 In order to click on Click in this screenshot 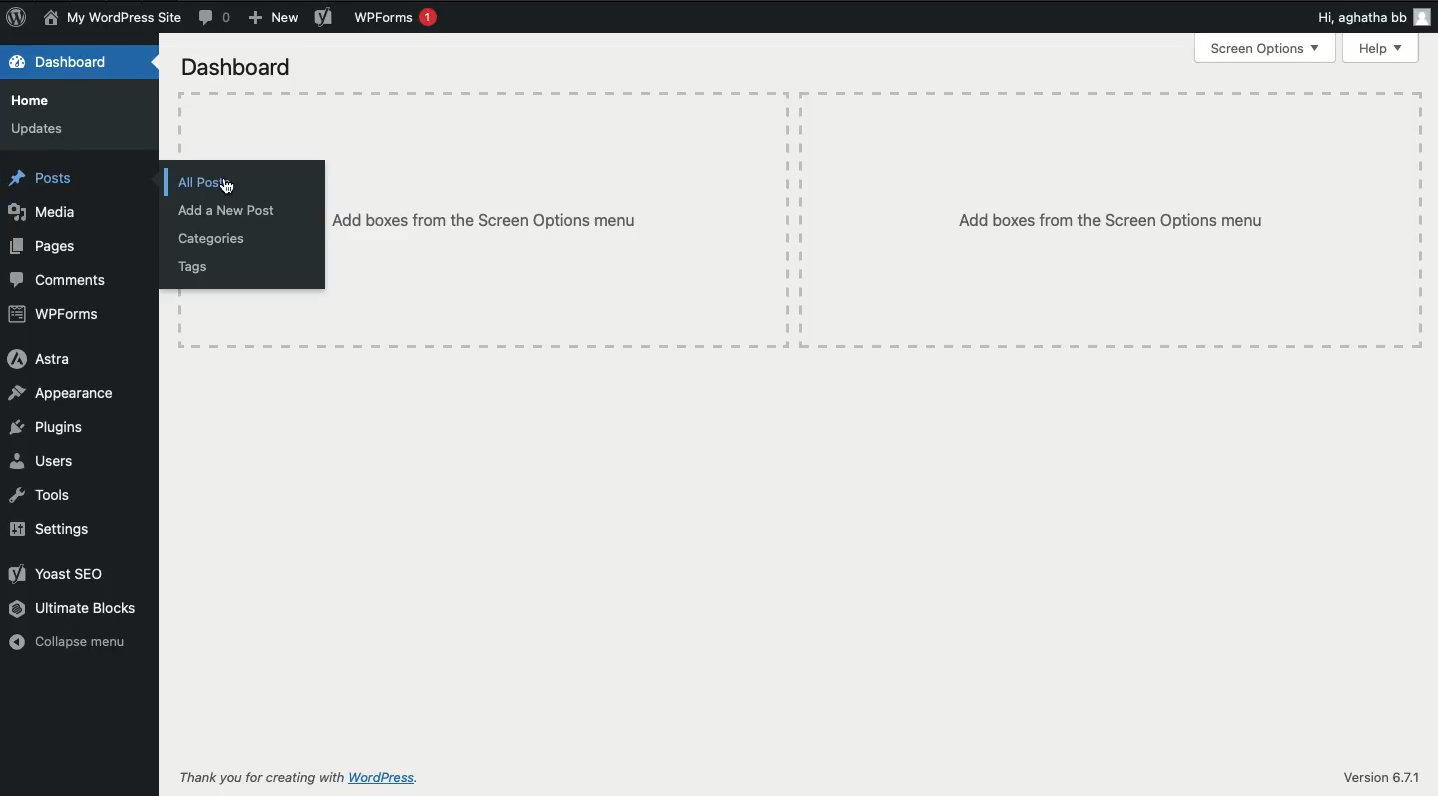, I will do `click(213, 185)`.